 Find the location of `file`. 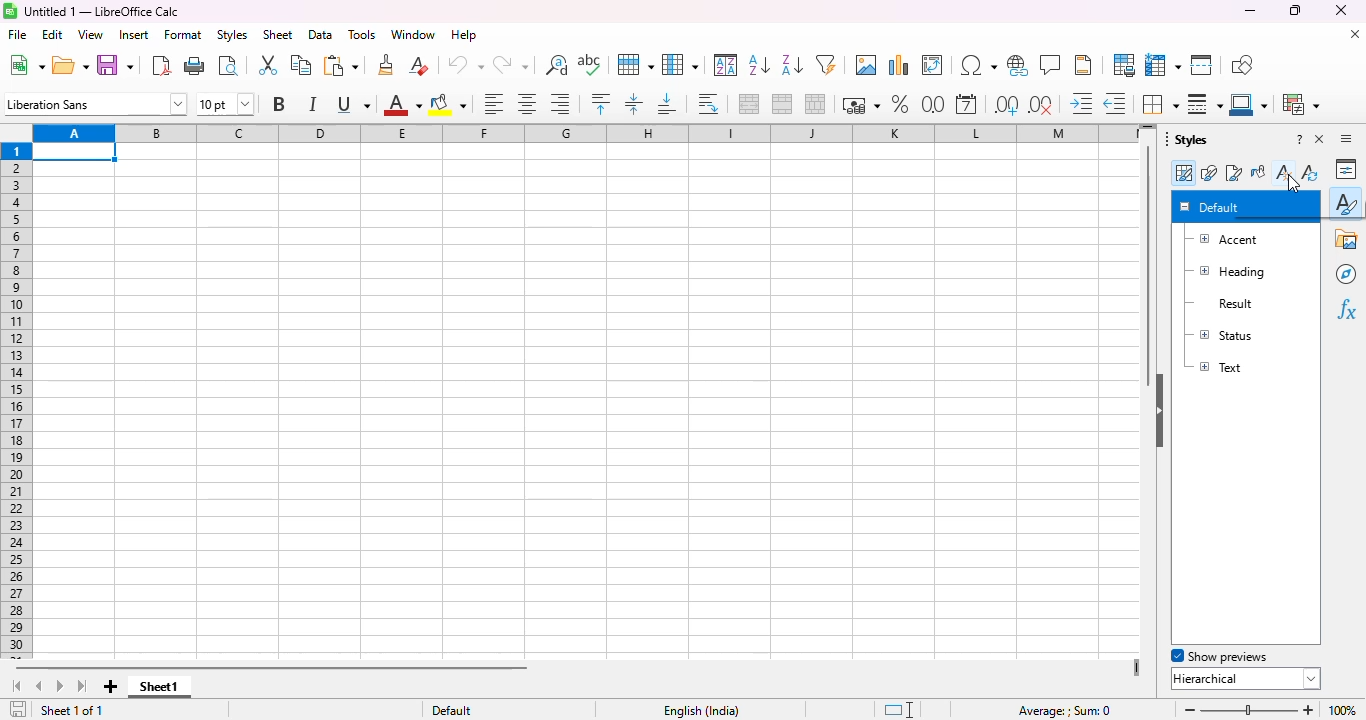

file is located at coordinates (17, 34).